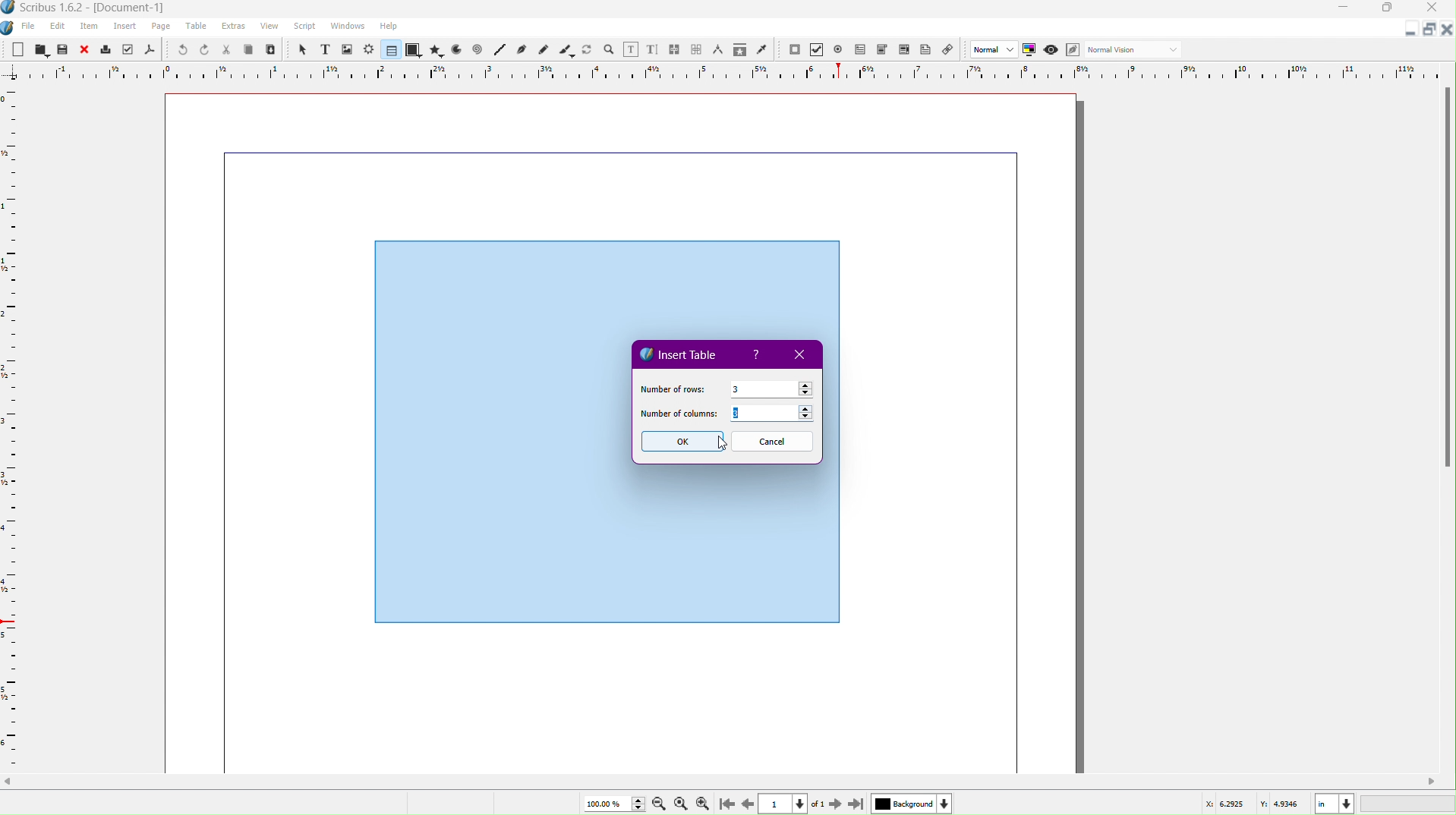  Describe the element at coordinates (632, 49) in the screenshot. I see `Edit Contents of Frame` at that location.